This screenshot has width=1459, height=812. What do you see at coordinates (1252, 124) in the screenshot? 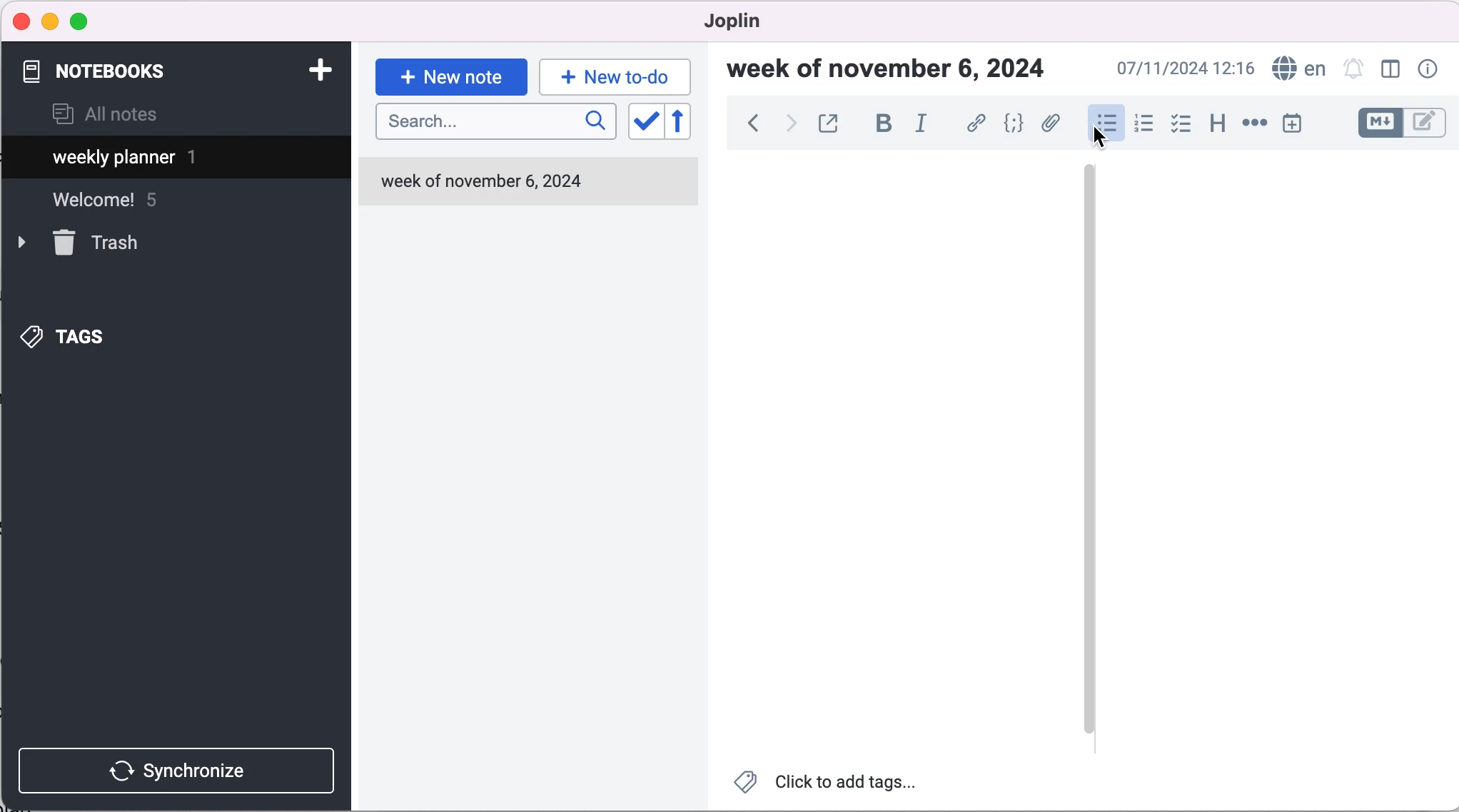
I see `horizontal rules` at bounding box center [1252, 124].